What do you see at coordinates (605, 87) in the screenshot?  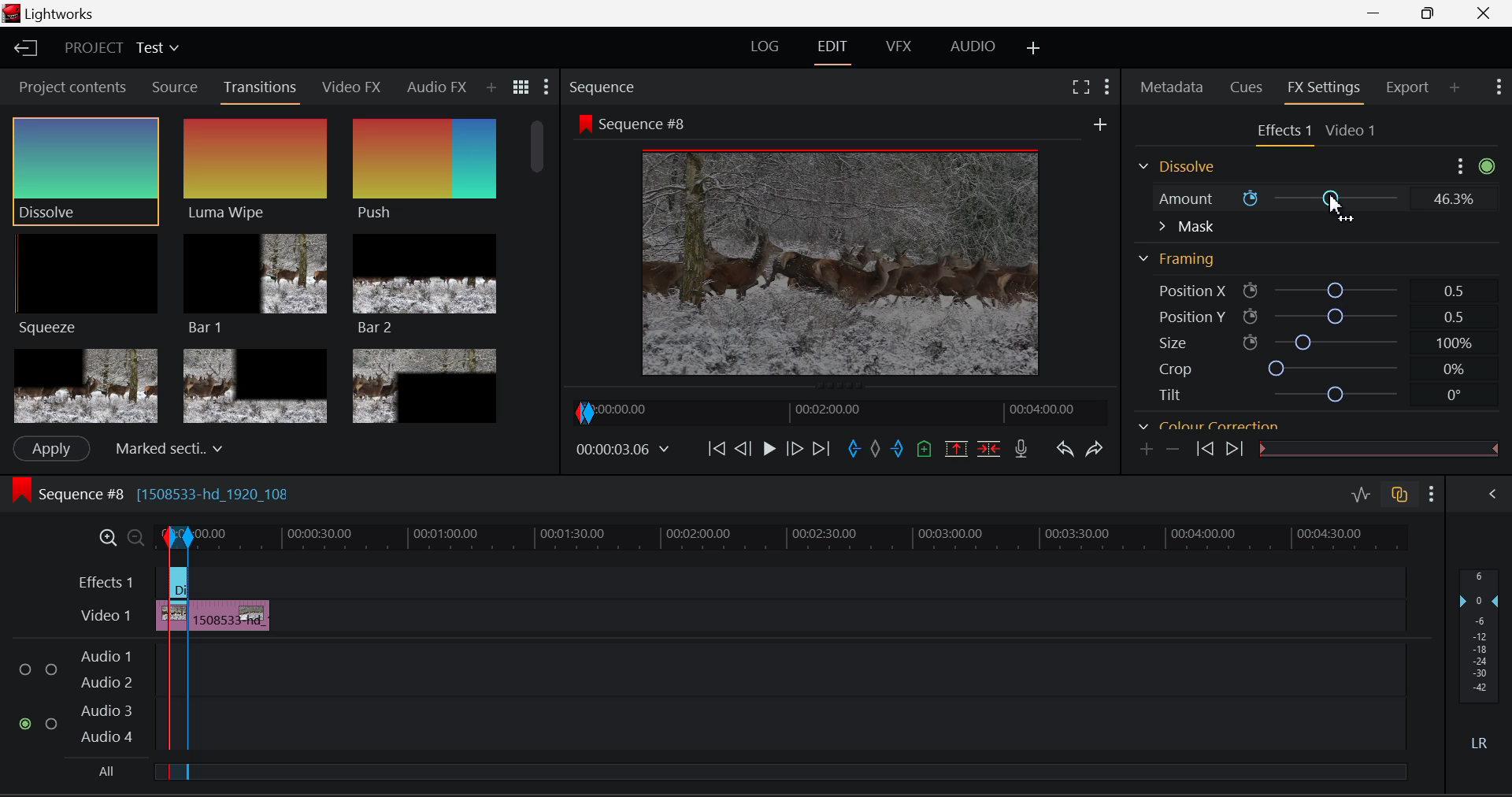 I see `Sequence Preview Section` at bounding box center [605, 87].